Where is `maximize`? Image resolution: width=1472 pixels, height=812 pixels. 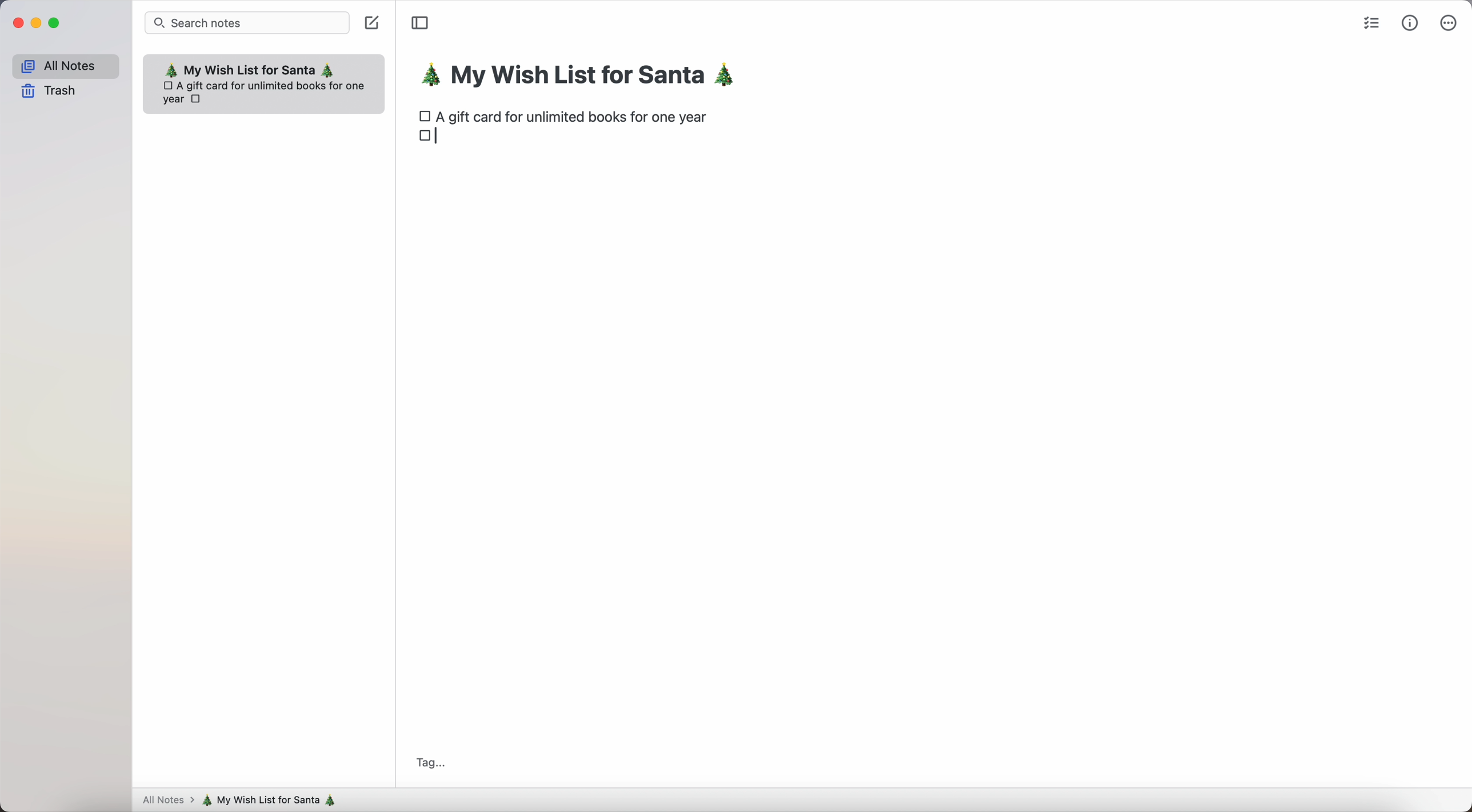 maximize is located at coordinates (56, 24).